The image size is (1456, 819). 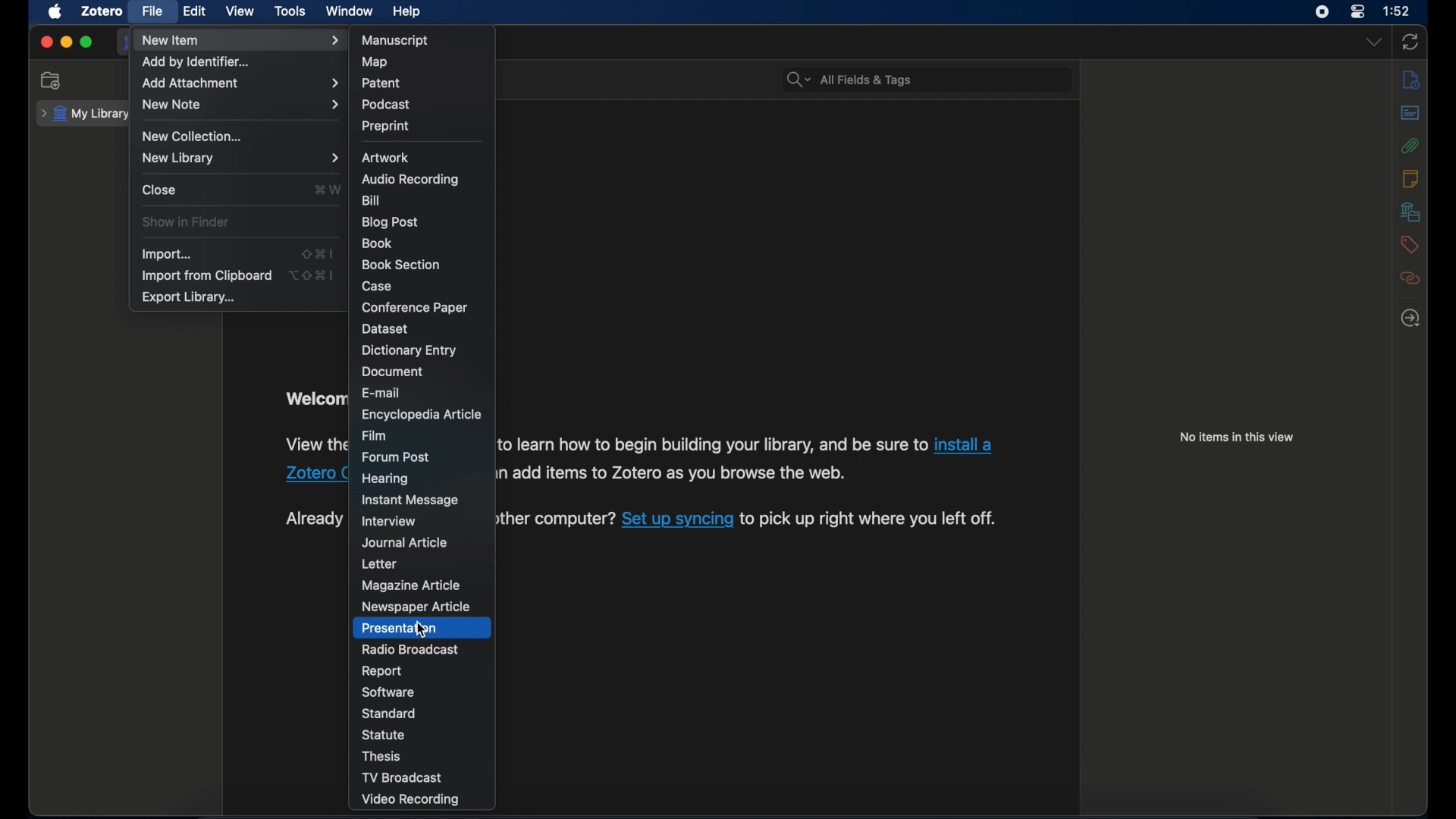 What do you see at coordinates (195, 136) in the screenshot?
I see `new collection` at bounding box center [195, 136].